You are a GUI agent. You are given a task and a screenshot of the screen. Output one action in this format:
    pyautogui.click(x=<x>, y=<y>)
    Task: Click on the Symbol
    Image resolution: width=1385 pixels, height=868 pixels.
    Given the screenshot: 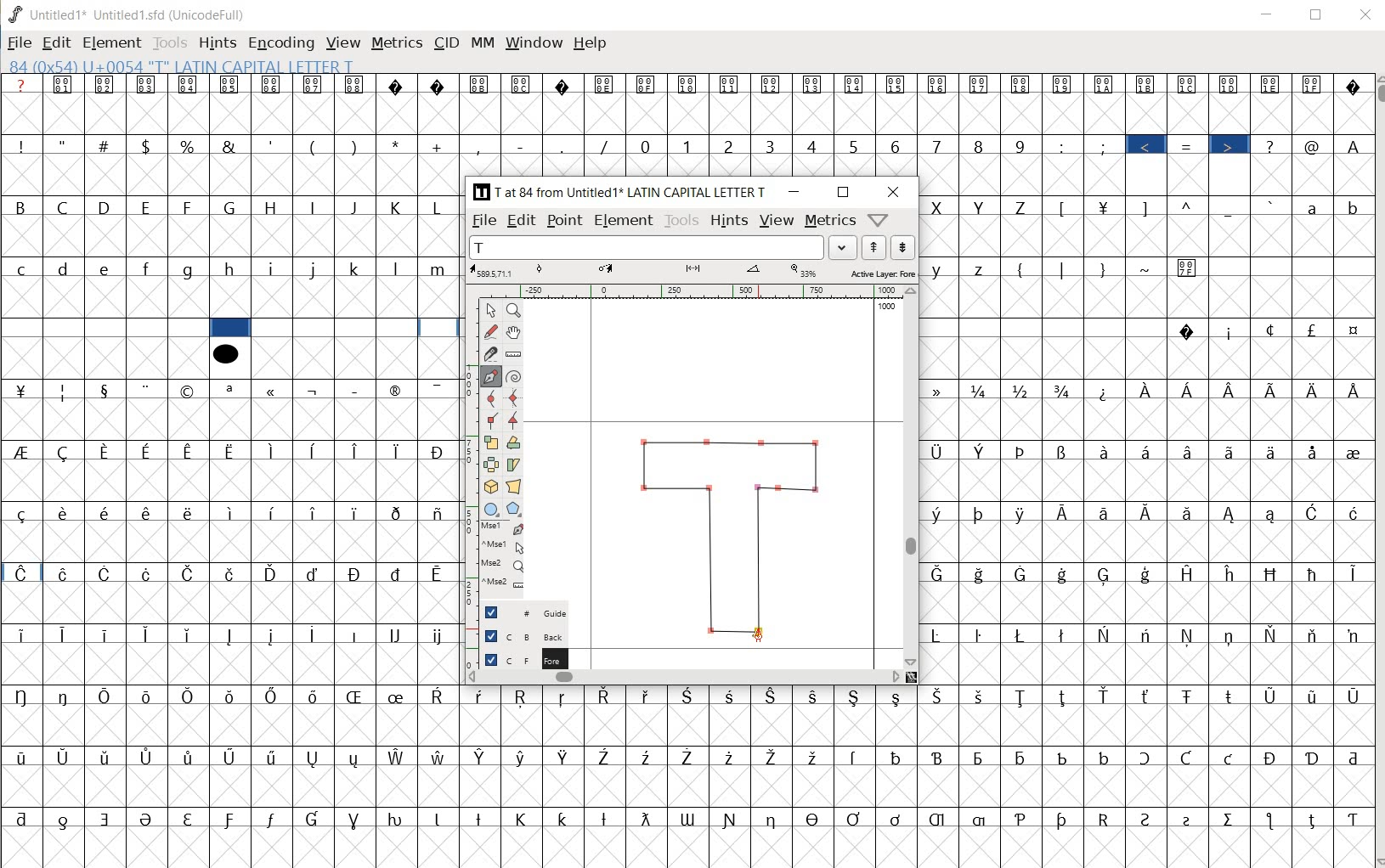 What is the action you would take?
    pyautogui.click(x=65, y=695)
    